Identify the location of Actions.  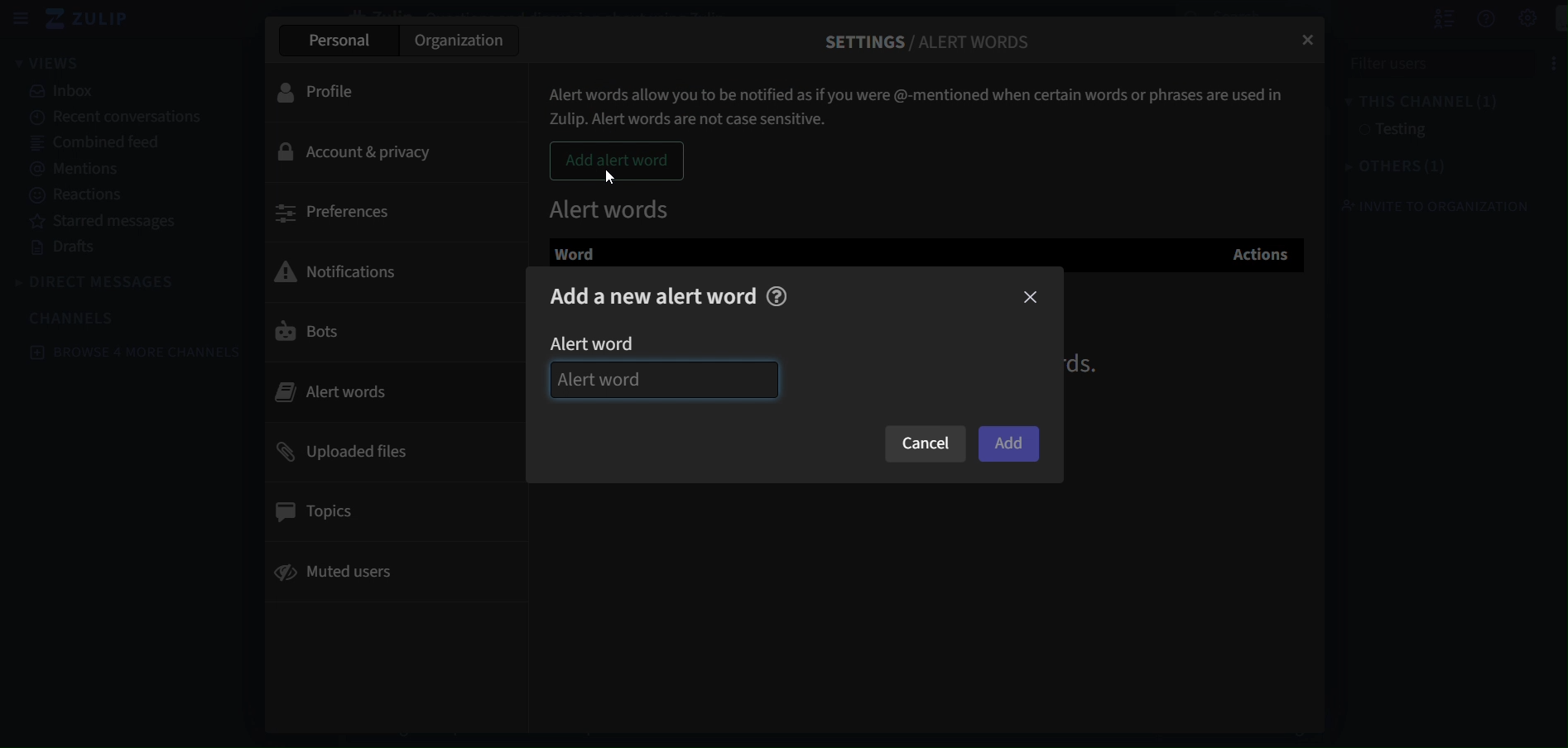
(1255, 252).